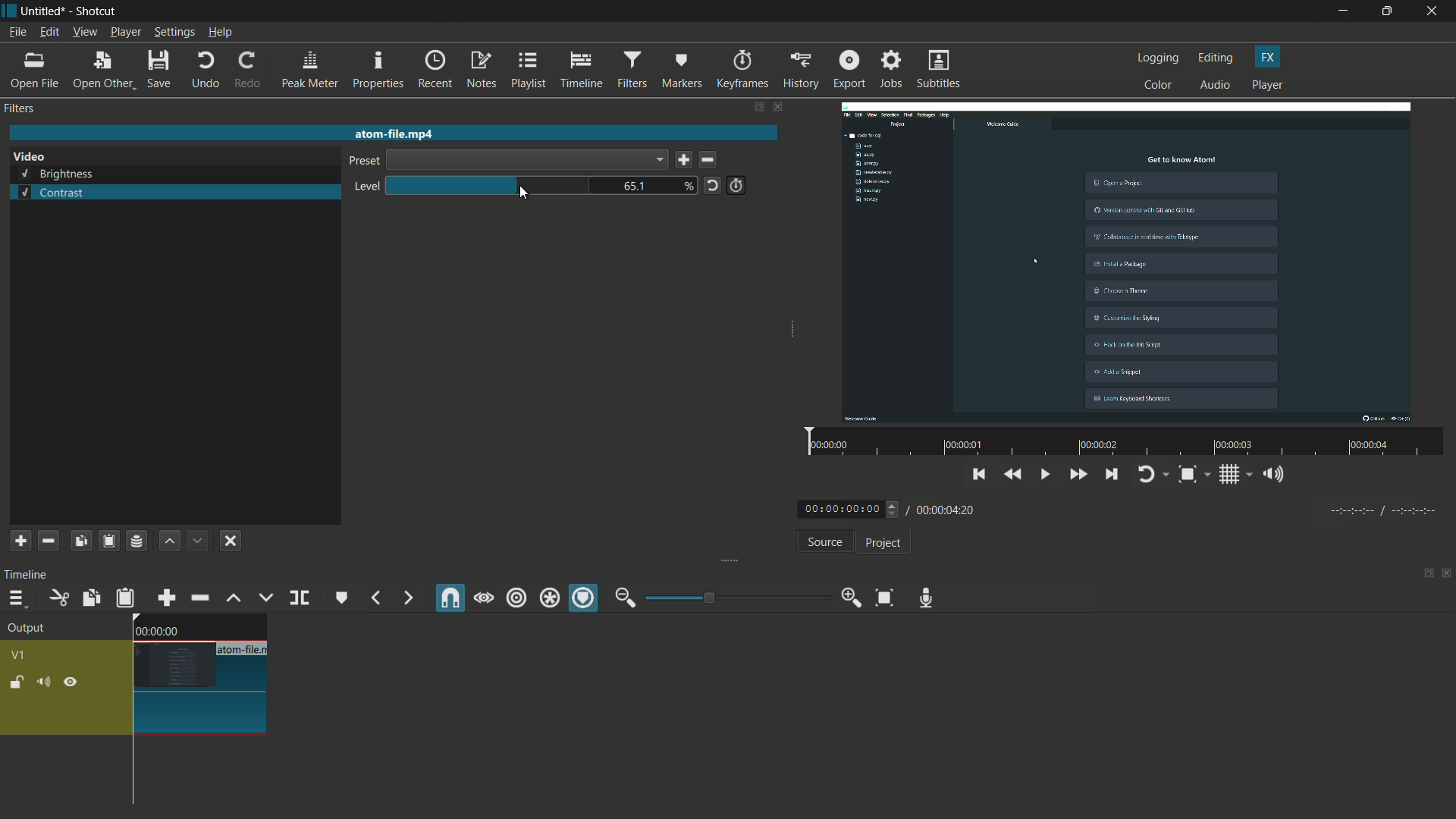  What do you see at coordinates (1079, 476) in the screenshot?
I see `quickly play forward` at bounding box center [1079, 476].